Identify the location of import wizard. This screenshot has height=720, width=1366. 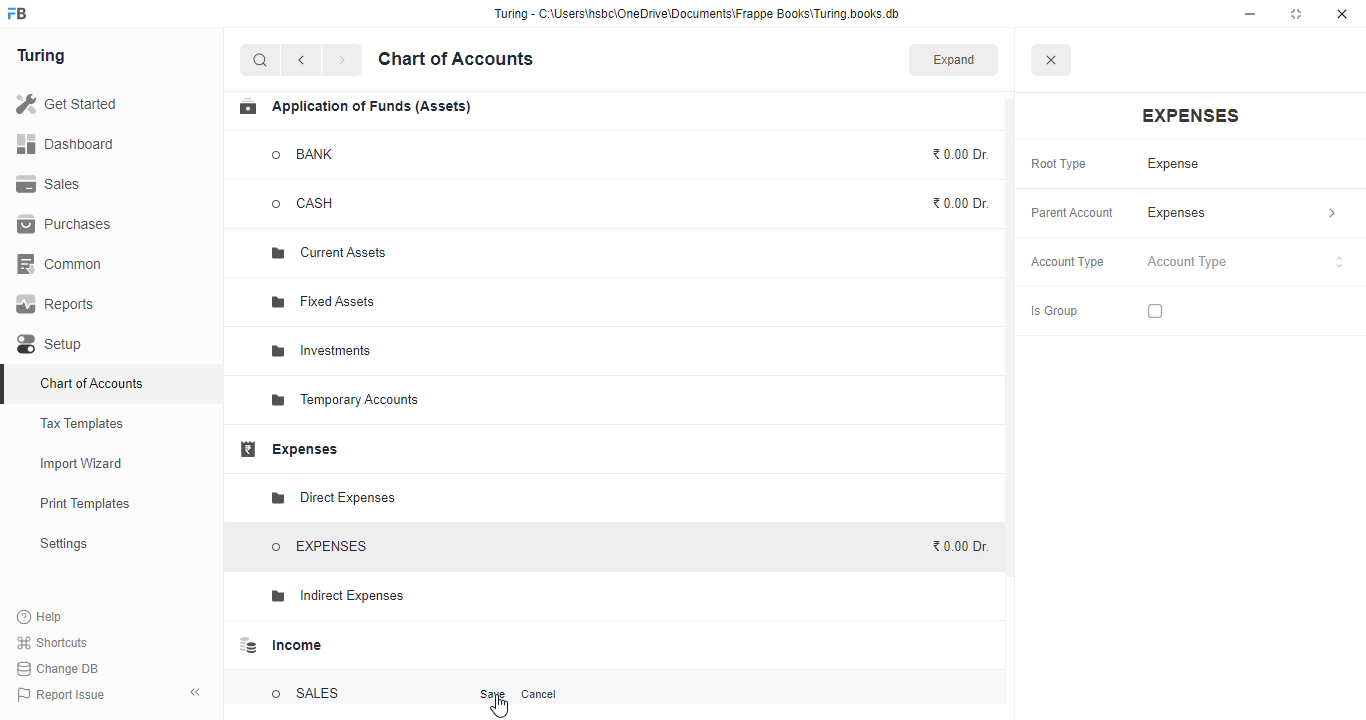
(82, 464).